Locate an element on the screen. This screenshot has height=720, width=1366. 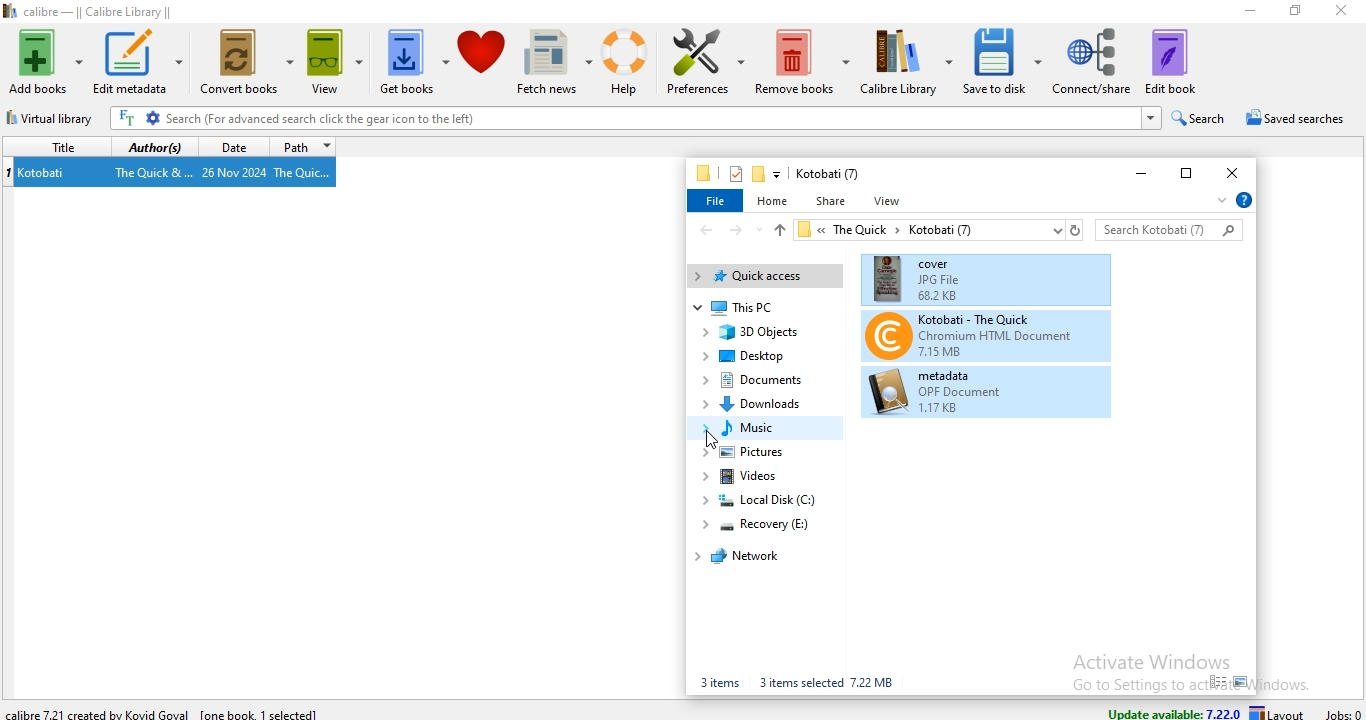
add books is located at coordinates (45, 62).